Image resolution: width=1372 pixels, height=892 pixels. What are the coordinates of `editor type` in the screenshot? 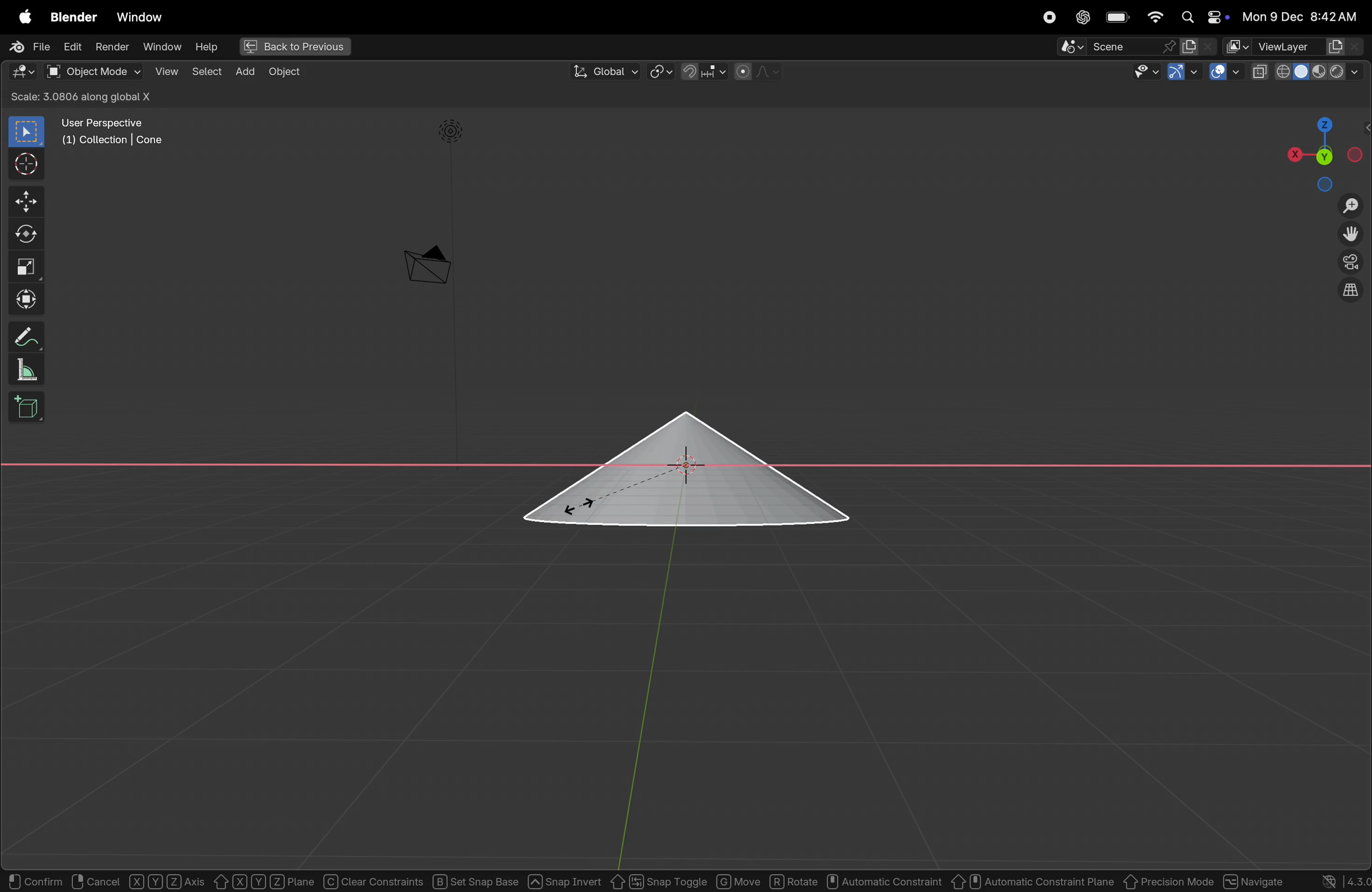 It's located at (22, 70).